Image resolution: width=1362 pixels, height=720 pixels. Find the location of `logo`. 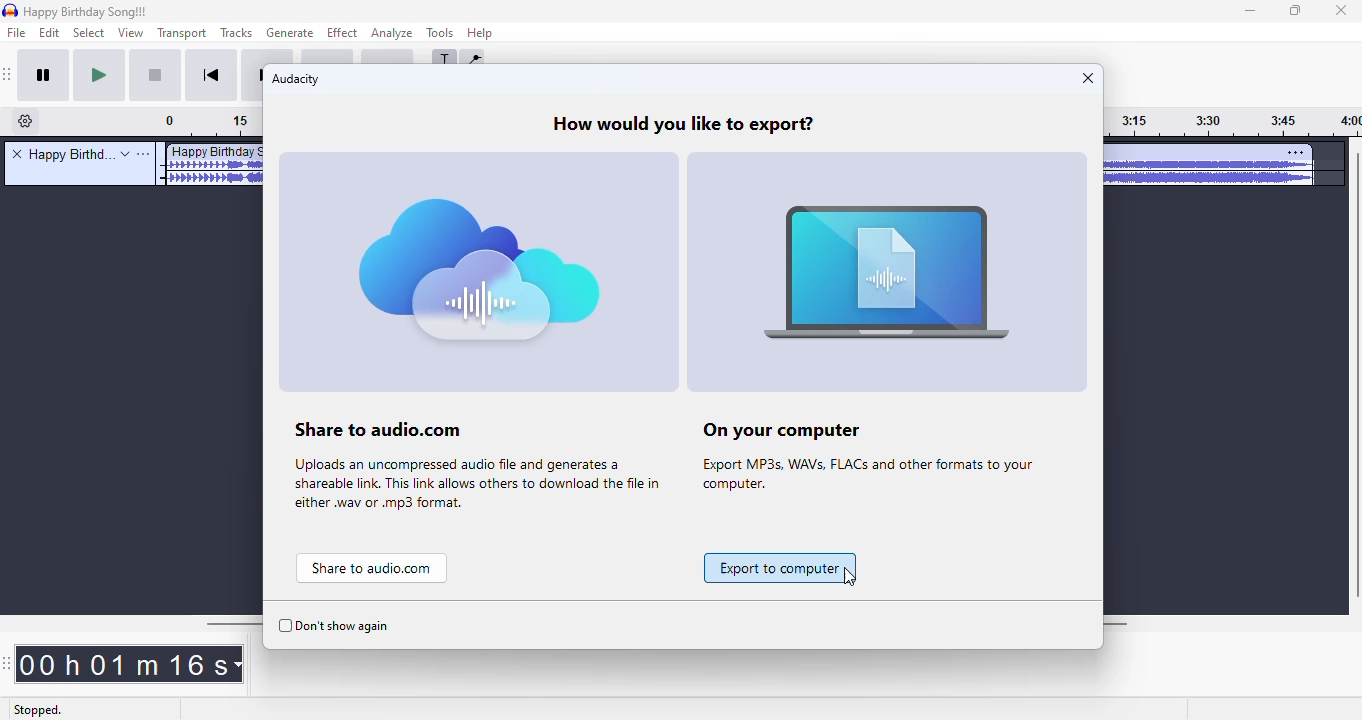

logo is located at coordinates (10, 10).